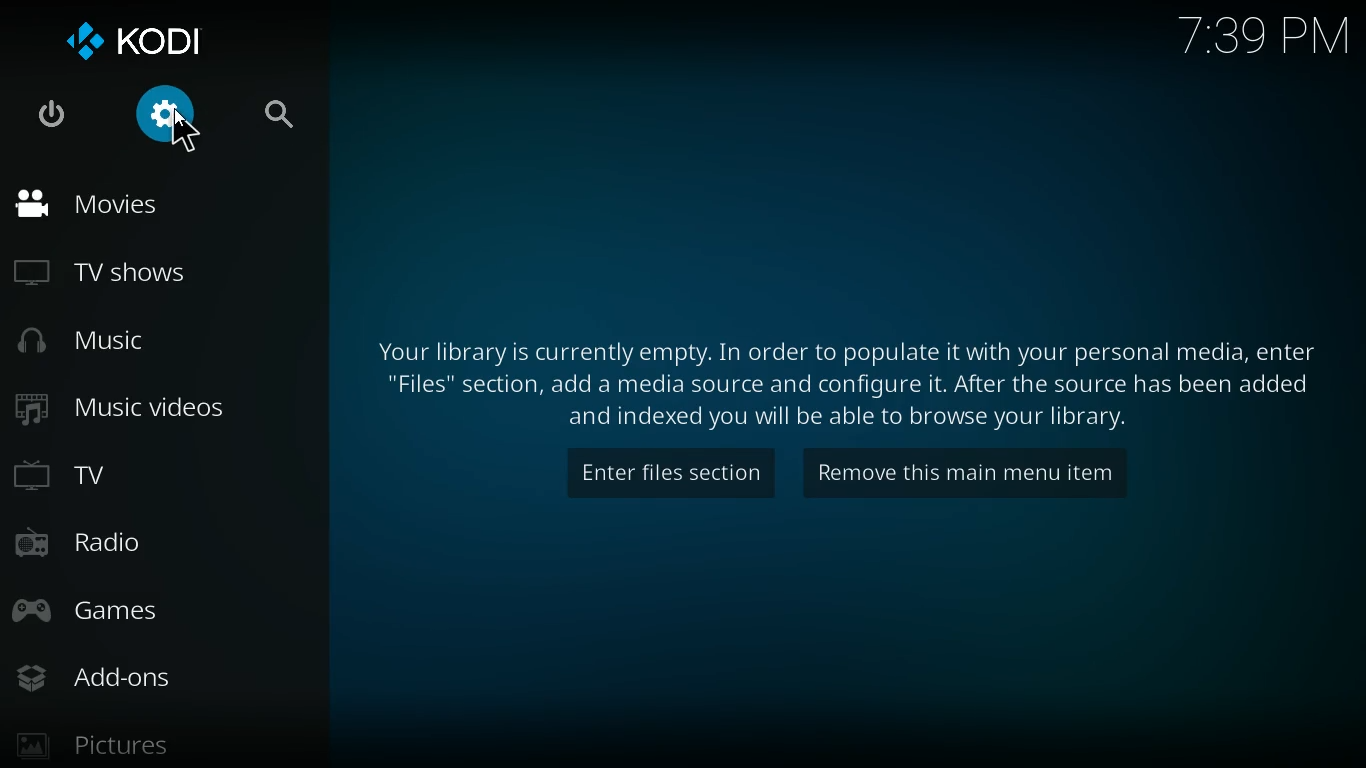  I want to click on movies, so click(111, 208).